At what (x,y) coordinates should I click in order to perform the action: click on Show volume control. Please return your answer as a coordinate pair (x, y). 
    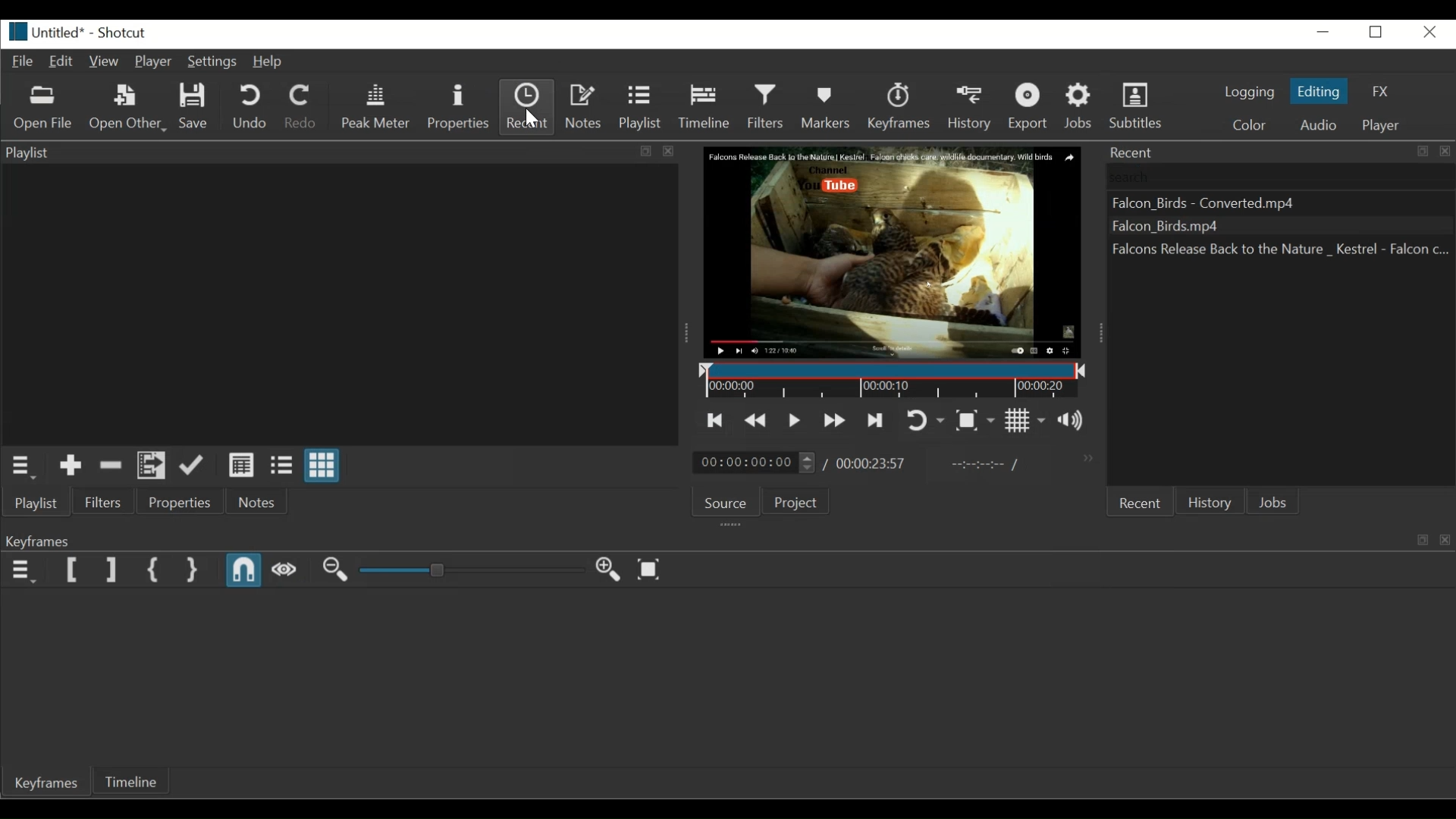
    Looking at the image, I should click on (1072, 422).